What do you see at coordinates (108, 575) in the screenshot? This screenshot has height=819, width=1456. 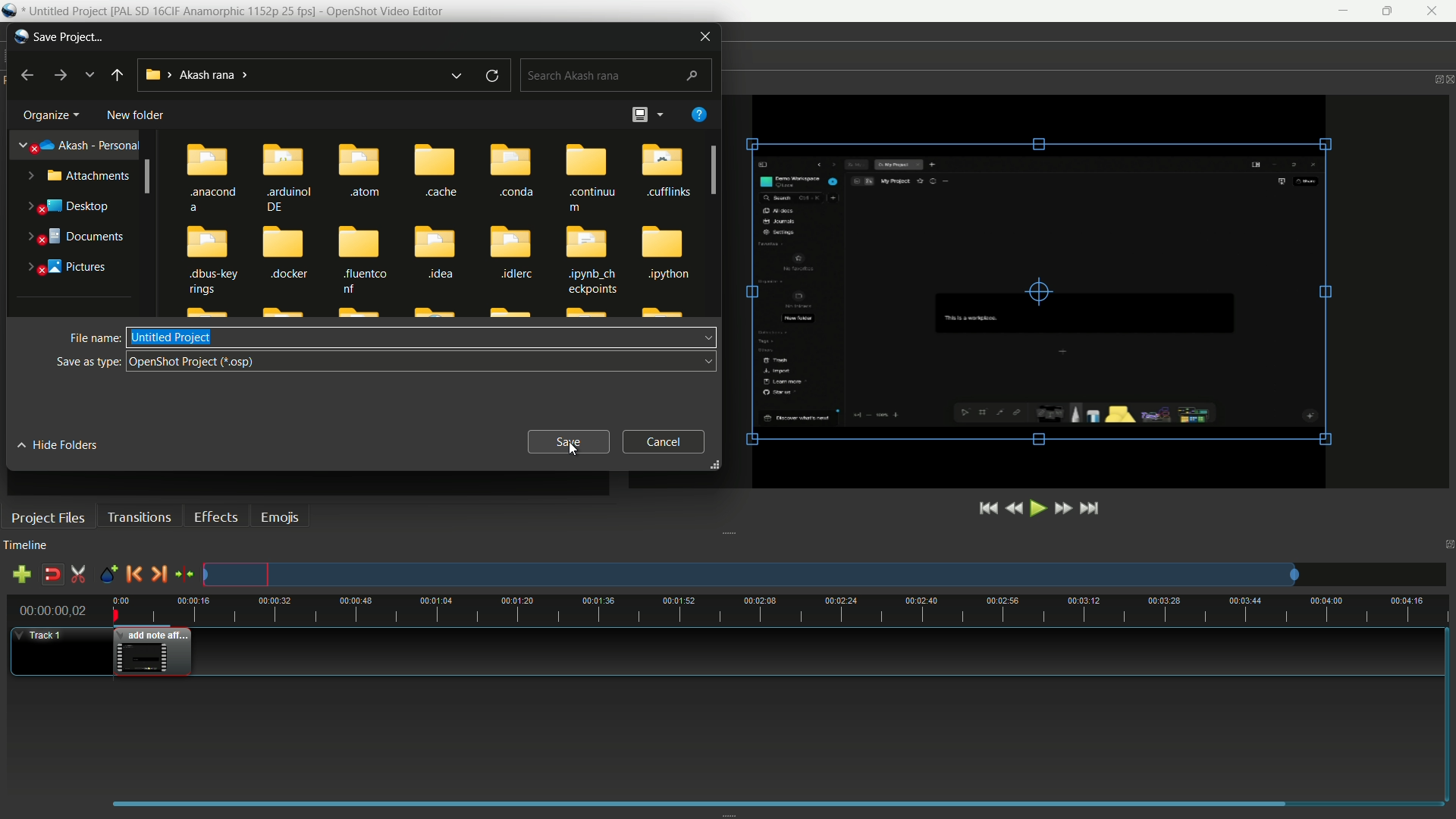 I see `create marker` at bounding box center [108, 575].